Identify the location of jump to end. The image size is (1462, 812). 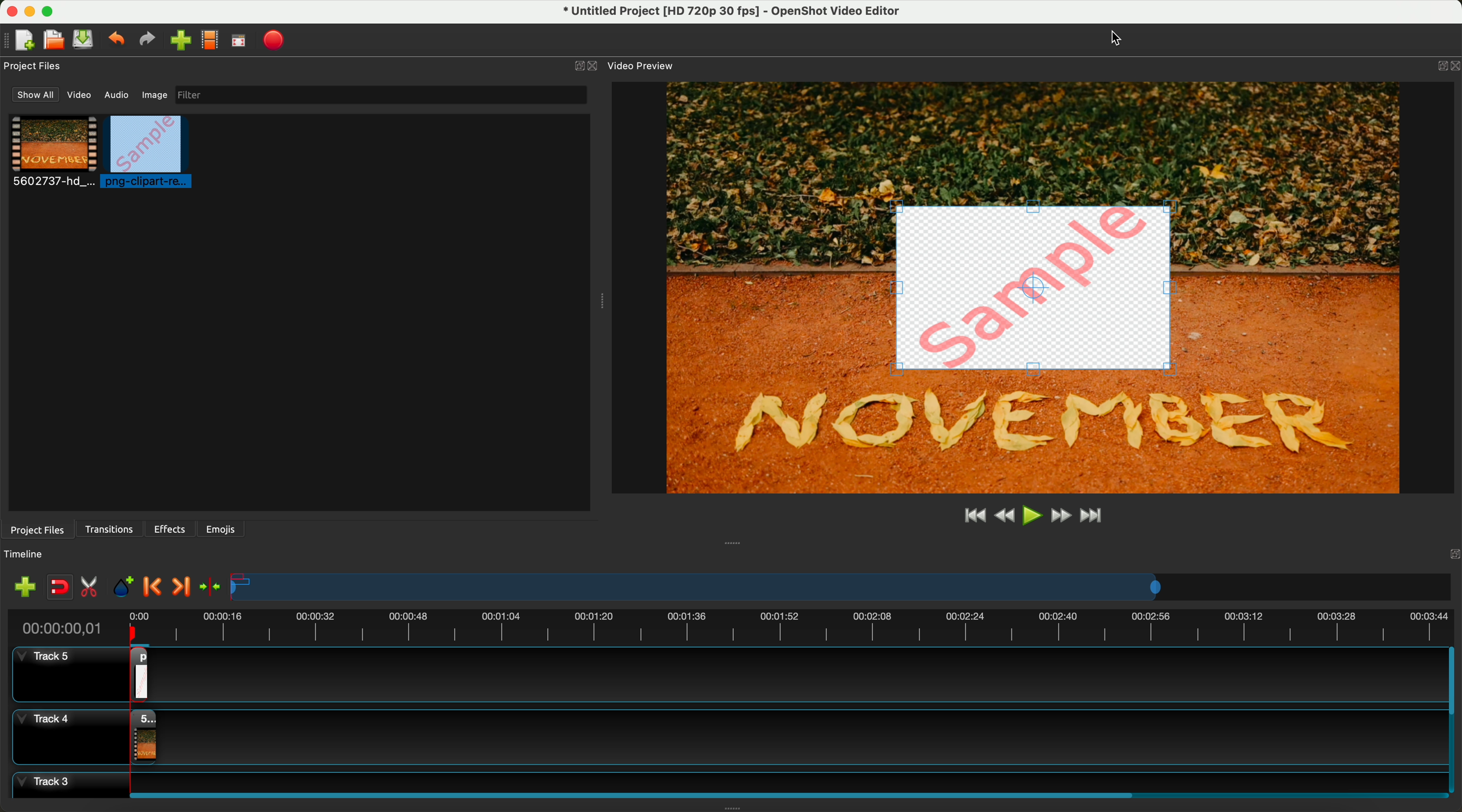
(1093, 517).